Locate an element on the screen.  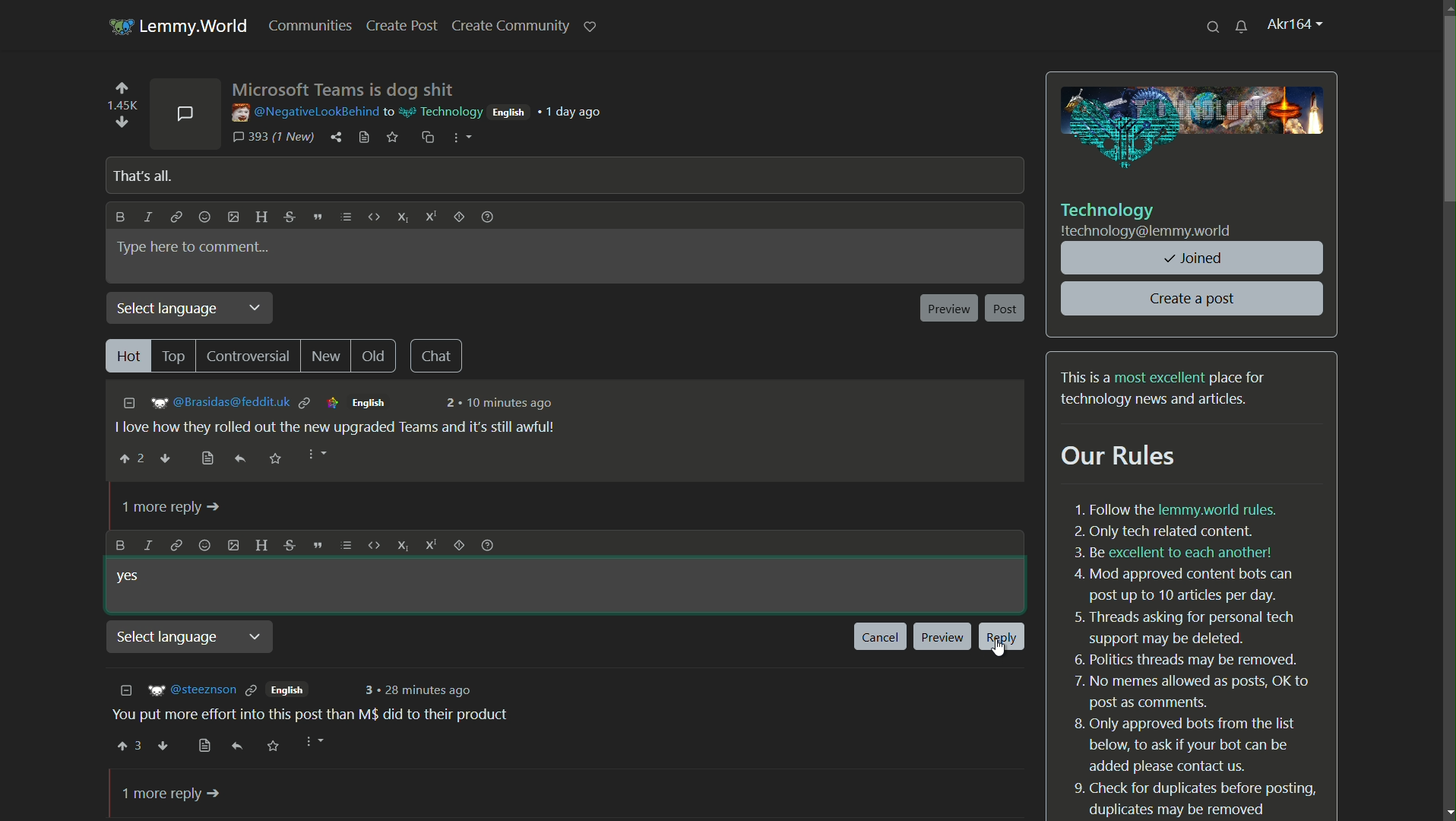
reply is located at coordinates (1002, 639).